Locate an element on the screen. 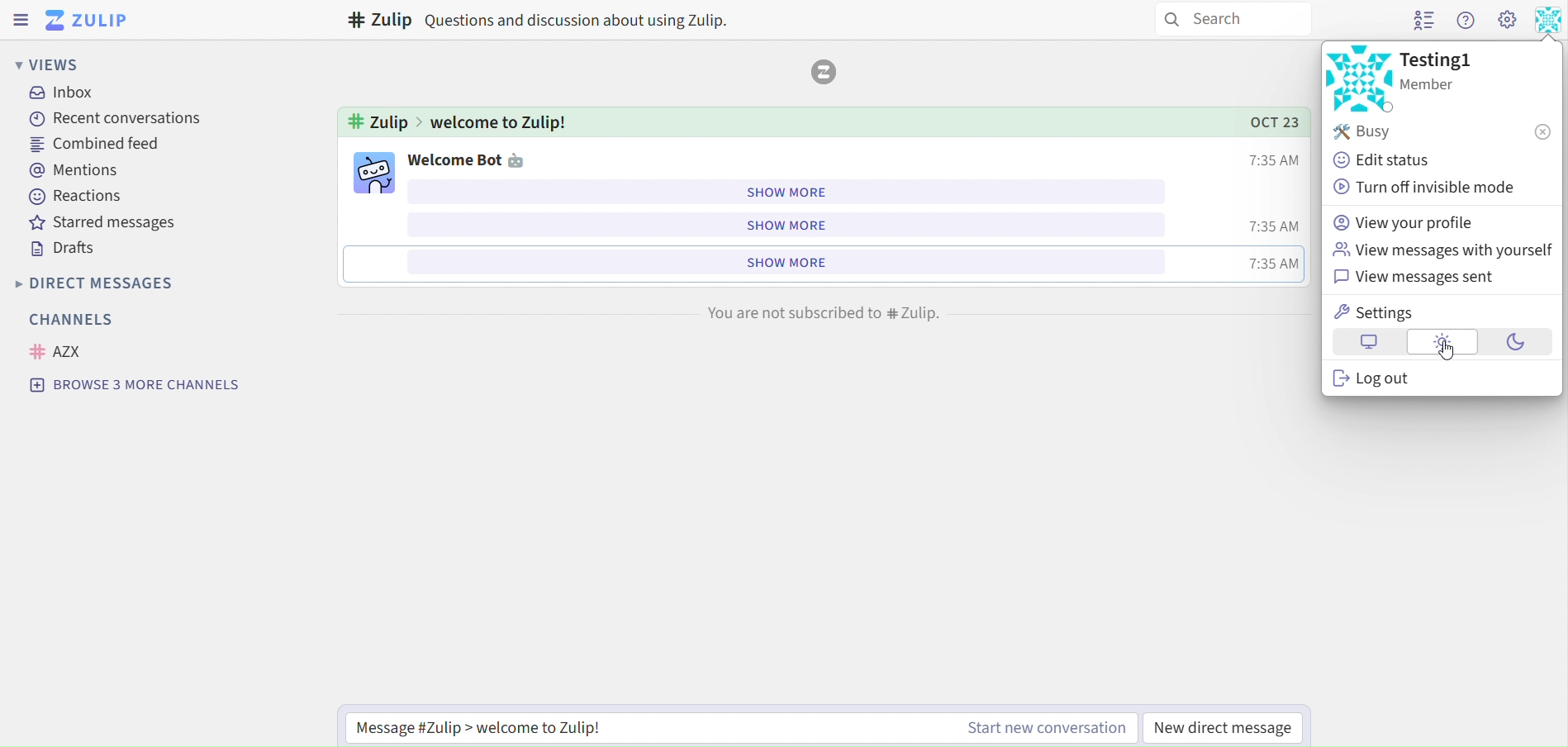 The height and width of the screenshot is (747, 1568). zulip is located at coordinates (86, 19).